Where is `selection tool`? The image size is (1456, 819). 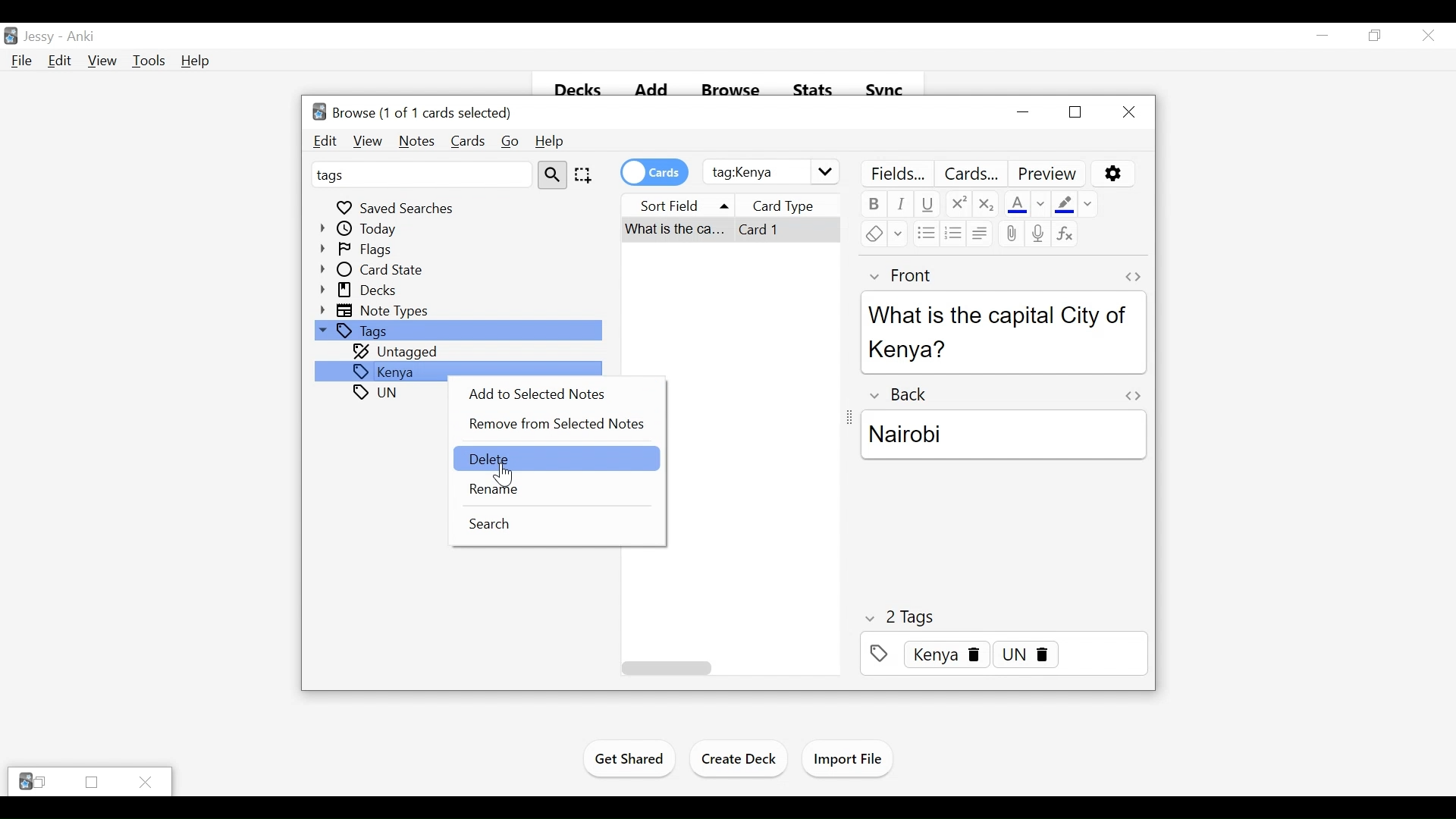
selection tool is located at coordinates (587, 176).